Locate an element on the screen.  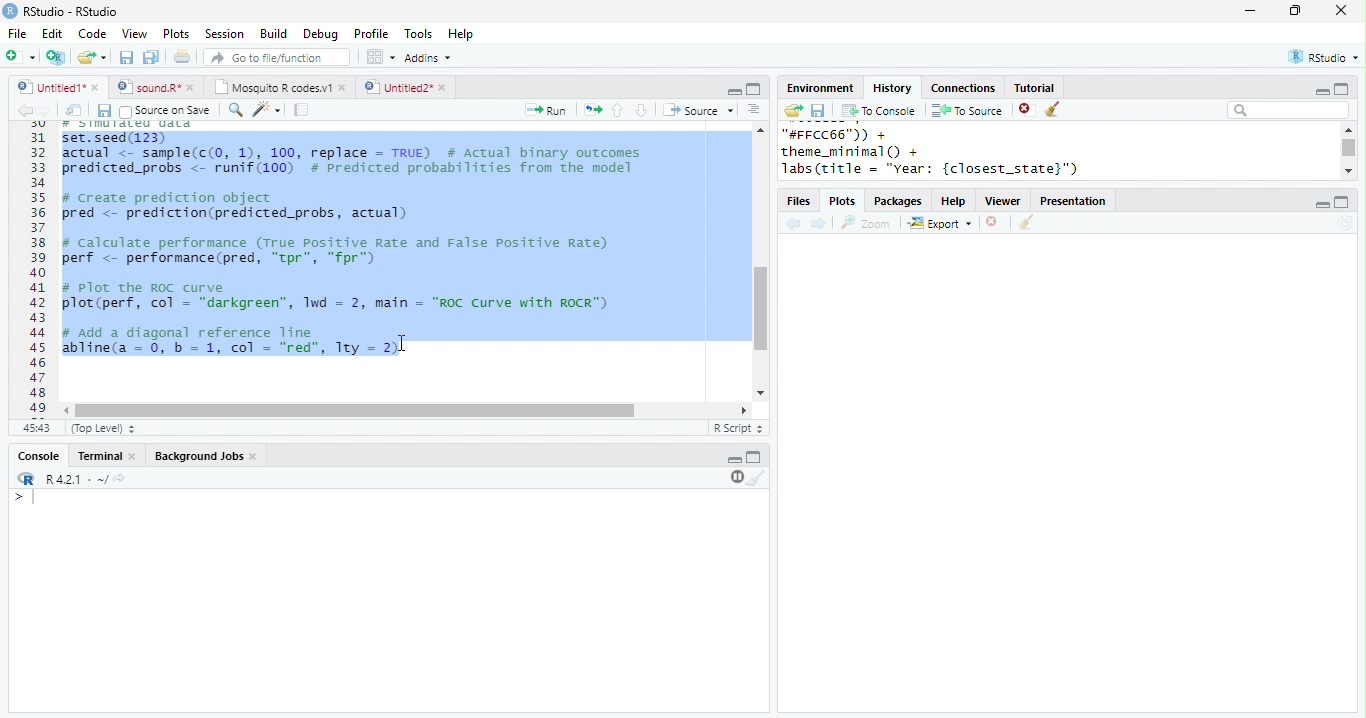
RStudio-RStudio is located at coordinates (75, 12).